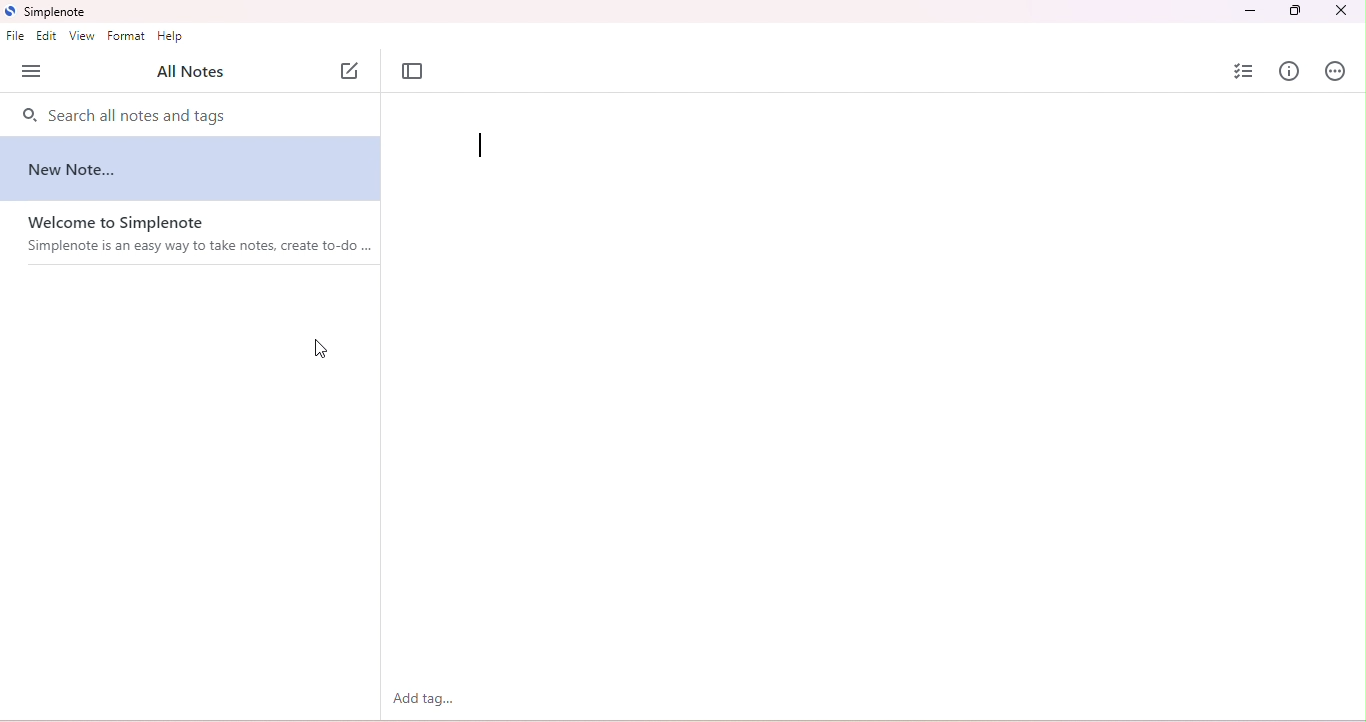 This screenshot has height=722, width=1366. Describe the element at coordinates (85, 170) in the screenshot. I see `new note` at that location.